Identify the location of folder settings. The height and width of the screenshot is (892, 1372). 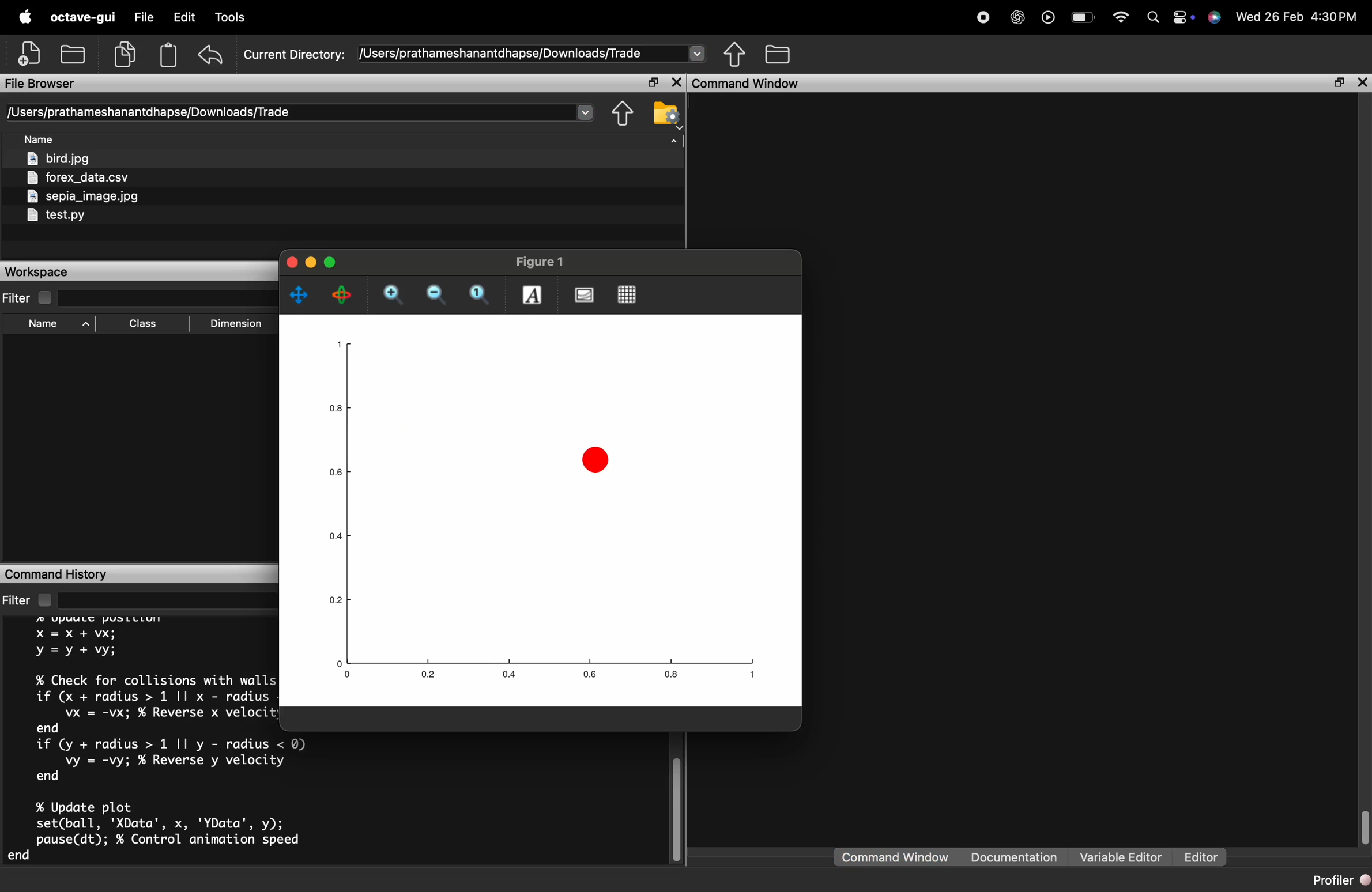
(666, 114).